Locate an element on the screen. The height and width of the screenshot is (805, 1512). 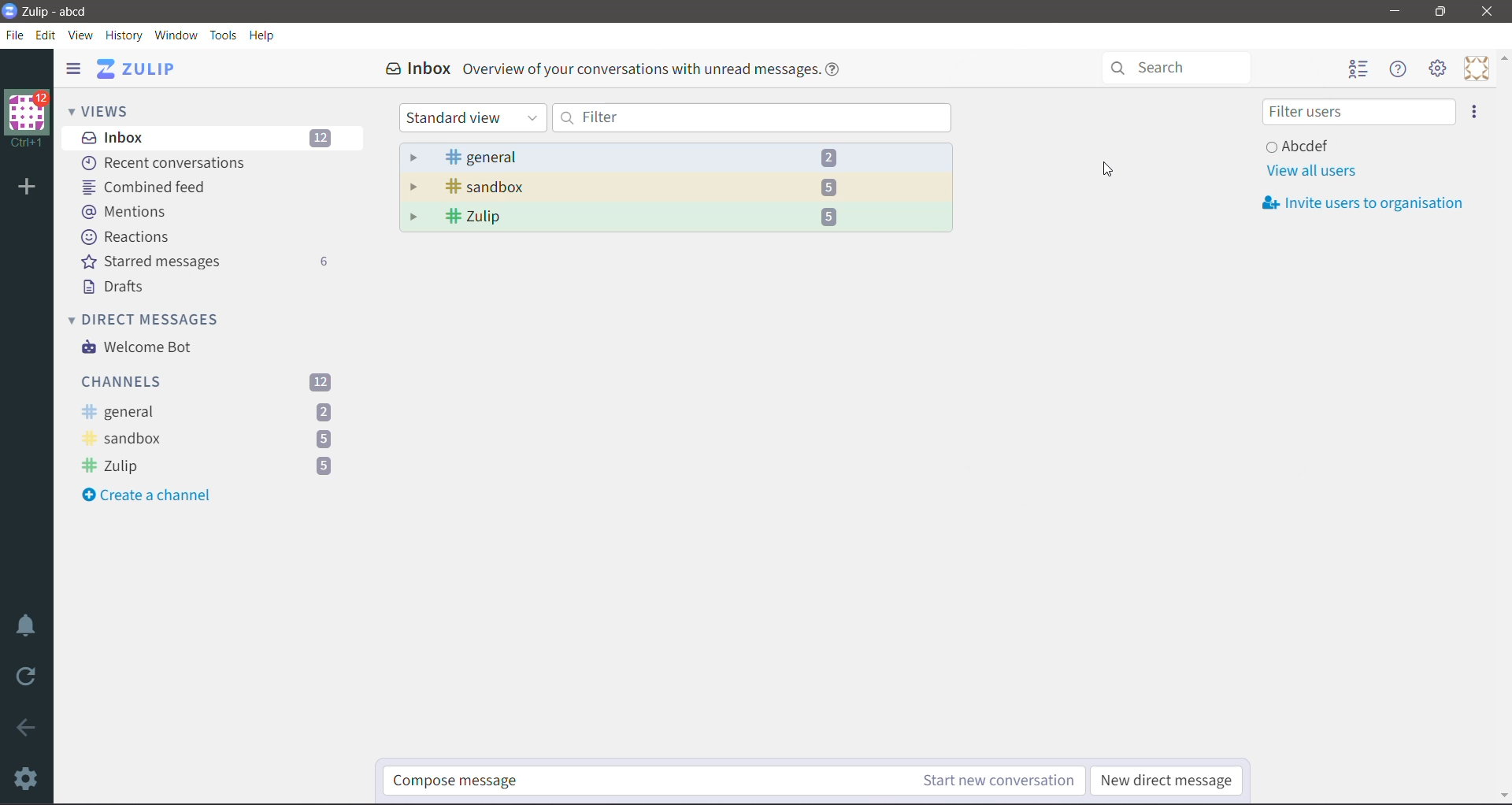
(status changed as away) User (Abcdef) and status is located at coordinates (1354, 143).